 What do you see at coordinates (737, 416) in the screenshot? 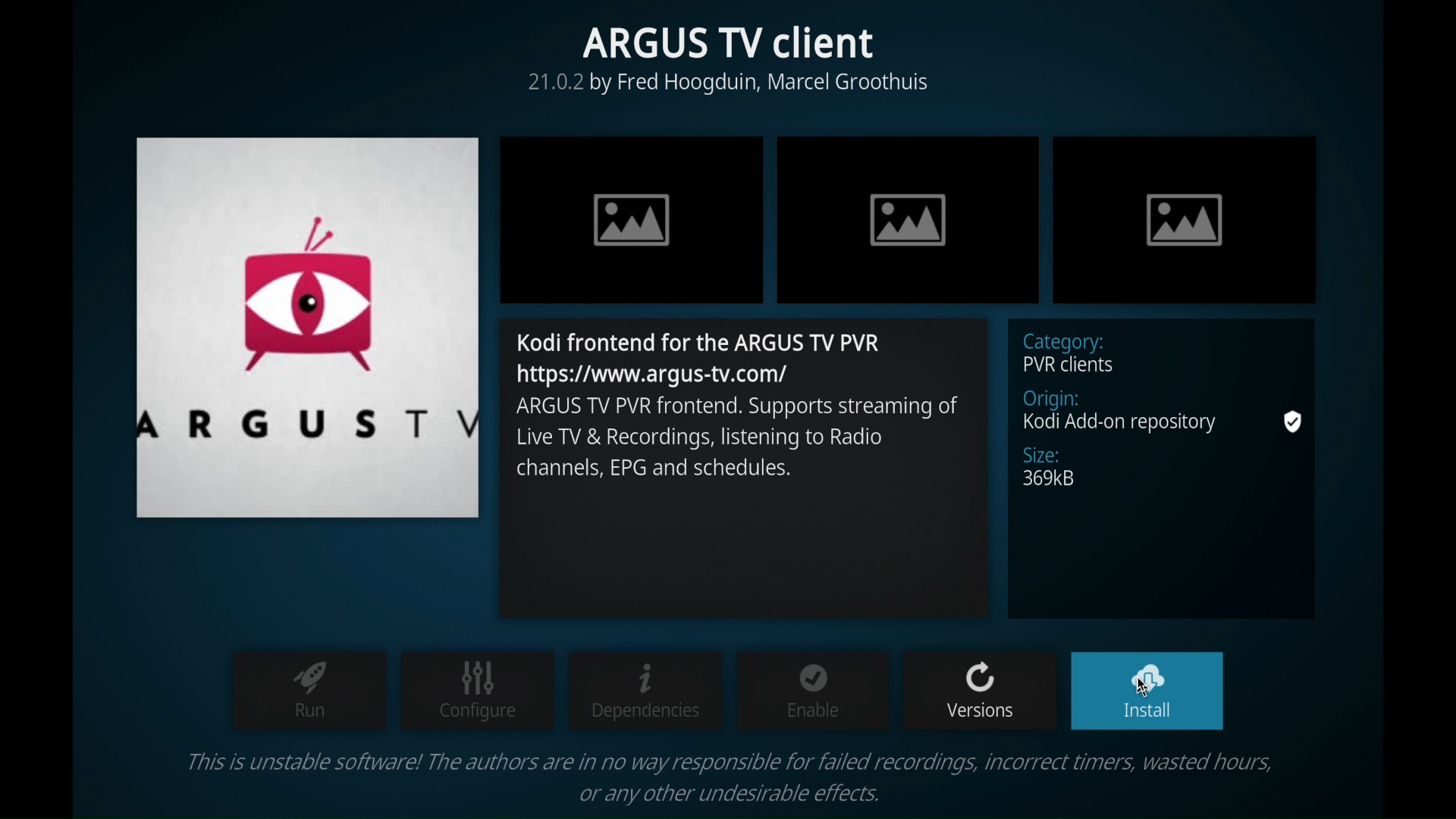
I see `Kodi frontend for the ARGUS TV PVR
https://www.argus-tv.com/

ARGUS TV PVR frontend. Supports streaming of
Live TV & Recordings, listening to Radio
channels, EPG and schedules.` at bounding box center [737, 416].